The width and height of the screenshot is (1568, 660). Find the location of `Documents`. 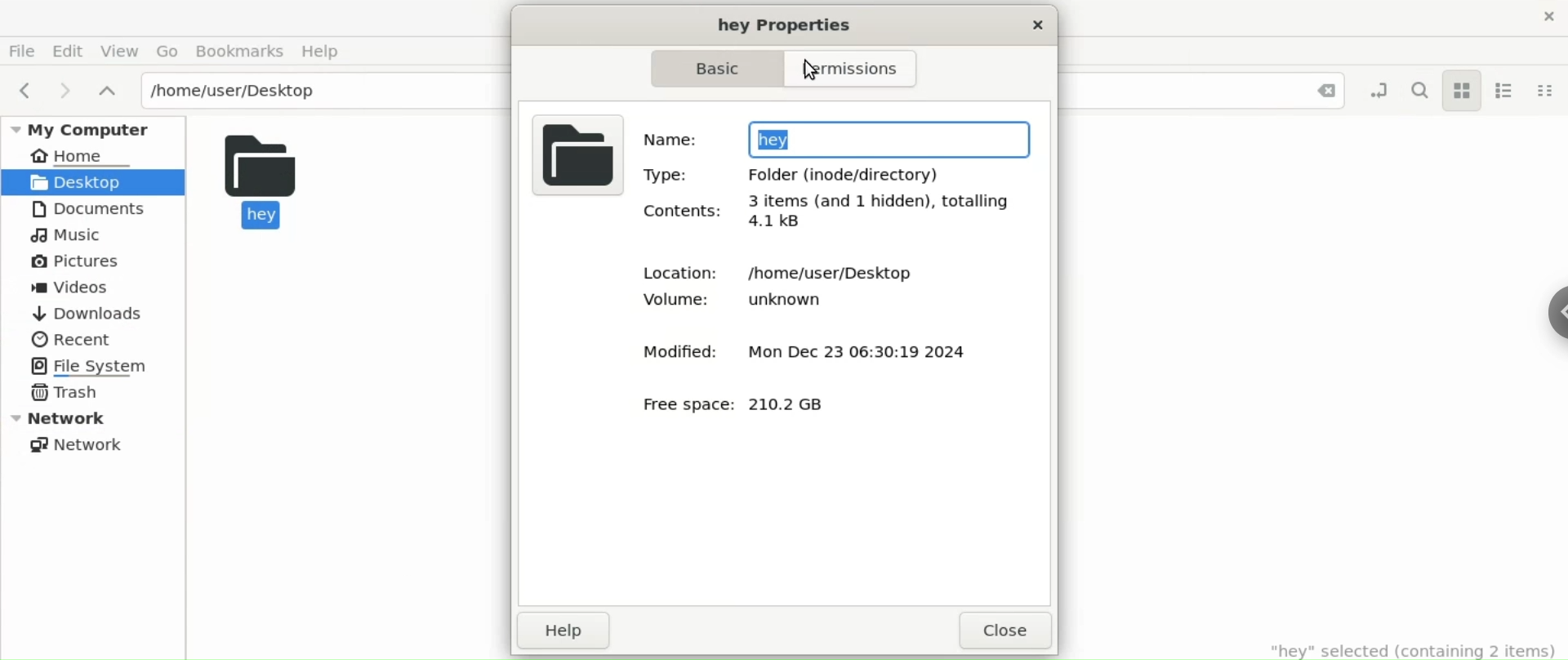

Documents is located at coordinates (86, 210).